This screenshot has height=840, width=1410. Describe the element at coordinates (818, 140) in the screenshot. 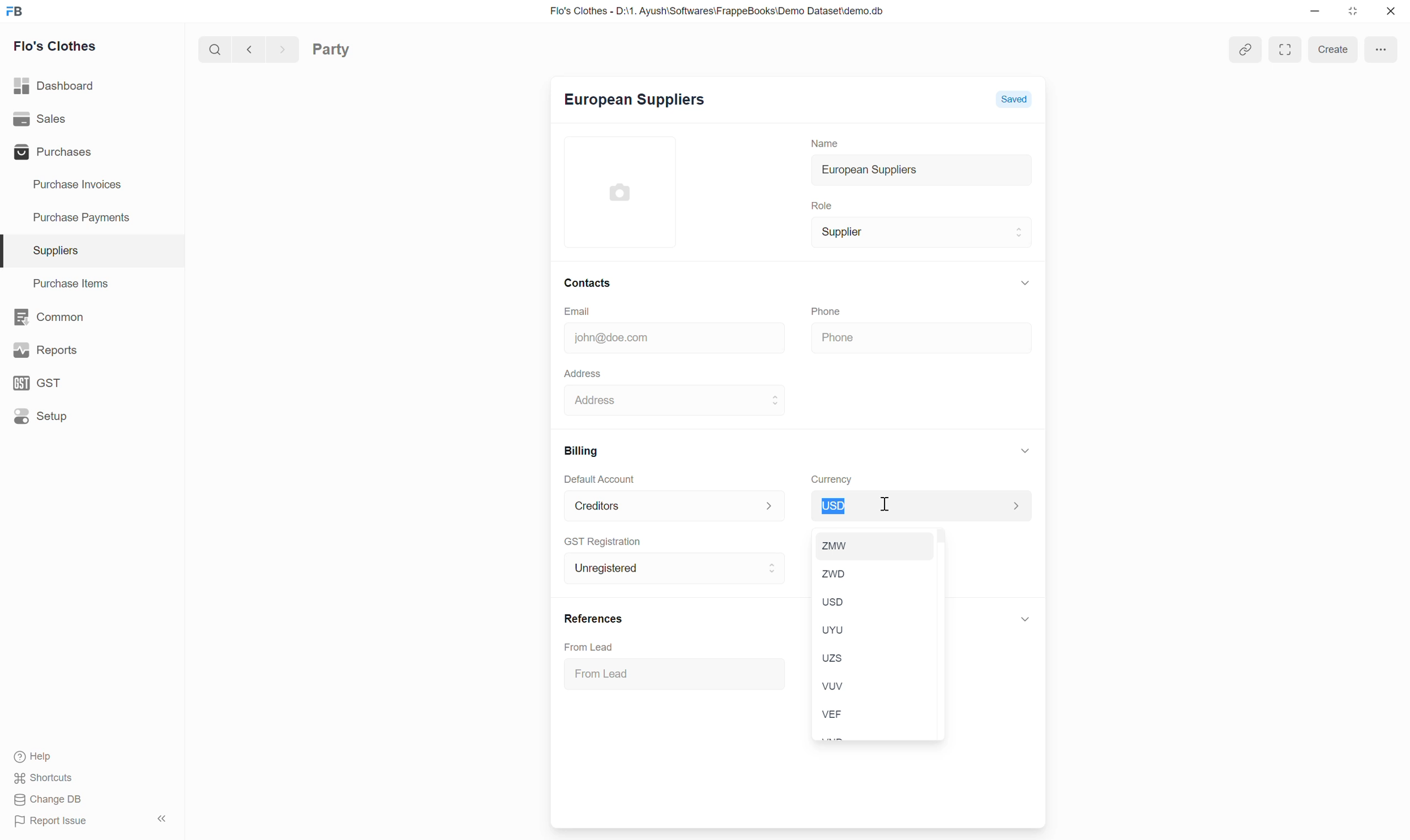

I see `Name` at that location.